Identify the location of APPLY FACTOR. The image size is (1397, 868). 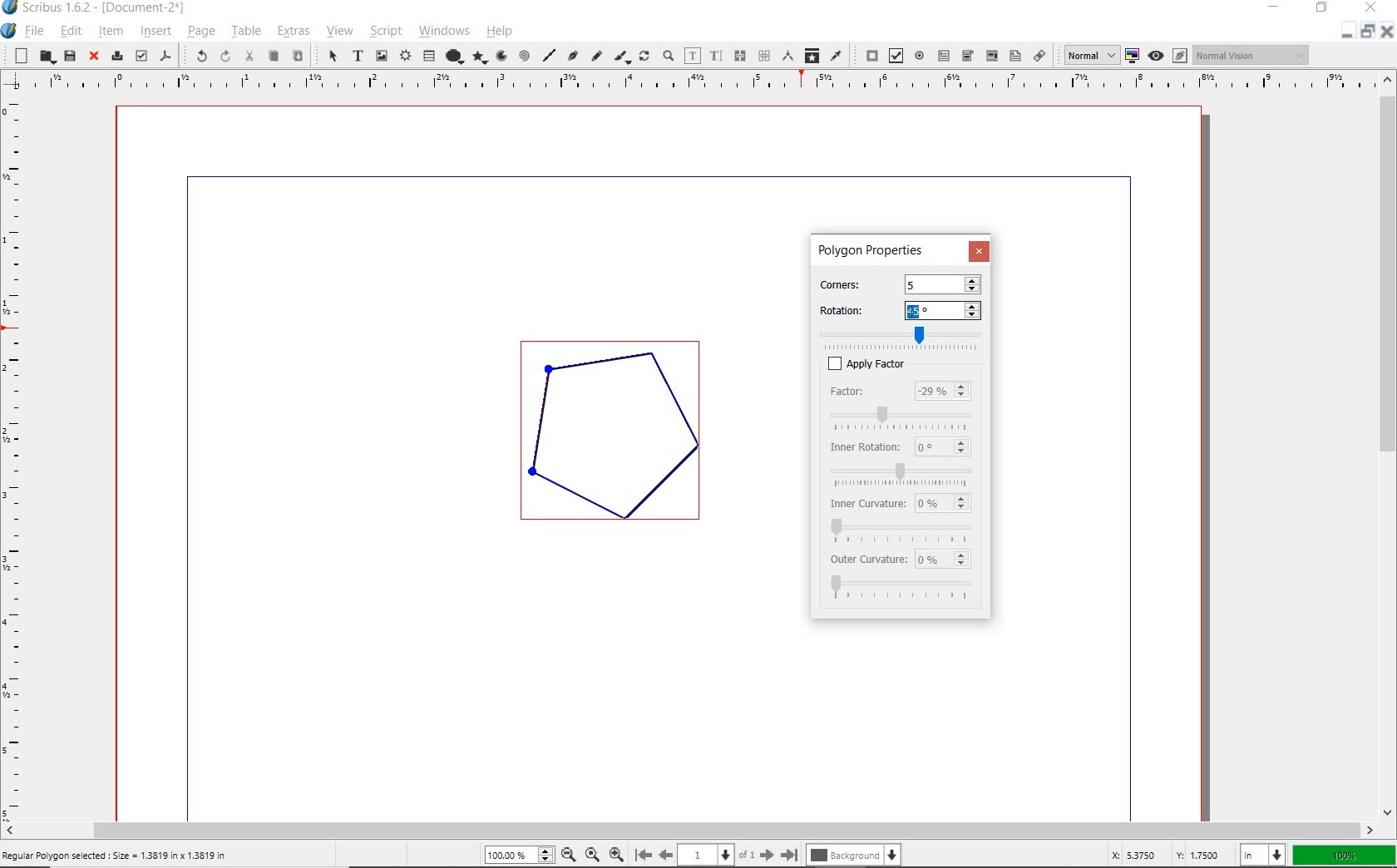
(923, 363).